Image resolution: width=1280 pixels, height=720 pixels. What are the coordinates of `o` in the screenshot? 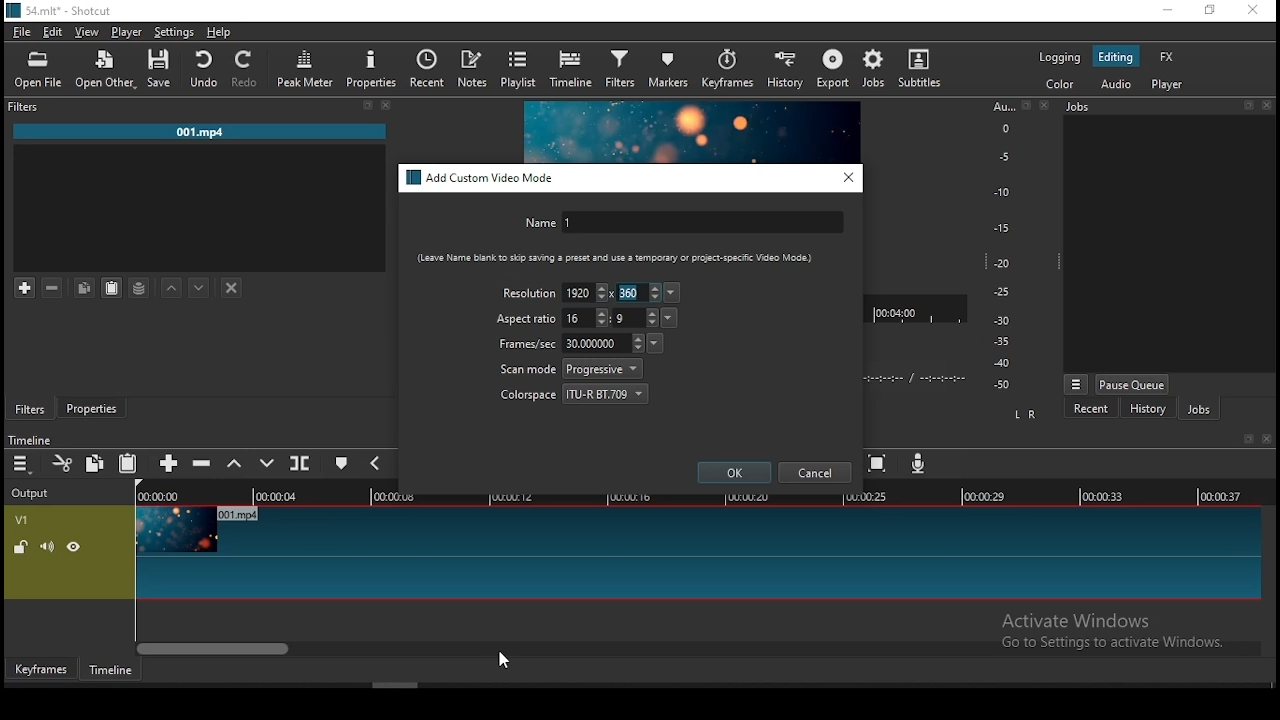 It's located at (998, 127).